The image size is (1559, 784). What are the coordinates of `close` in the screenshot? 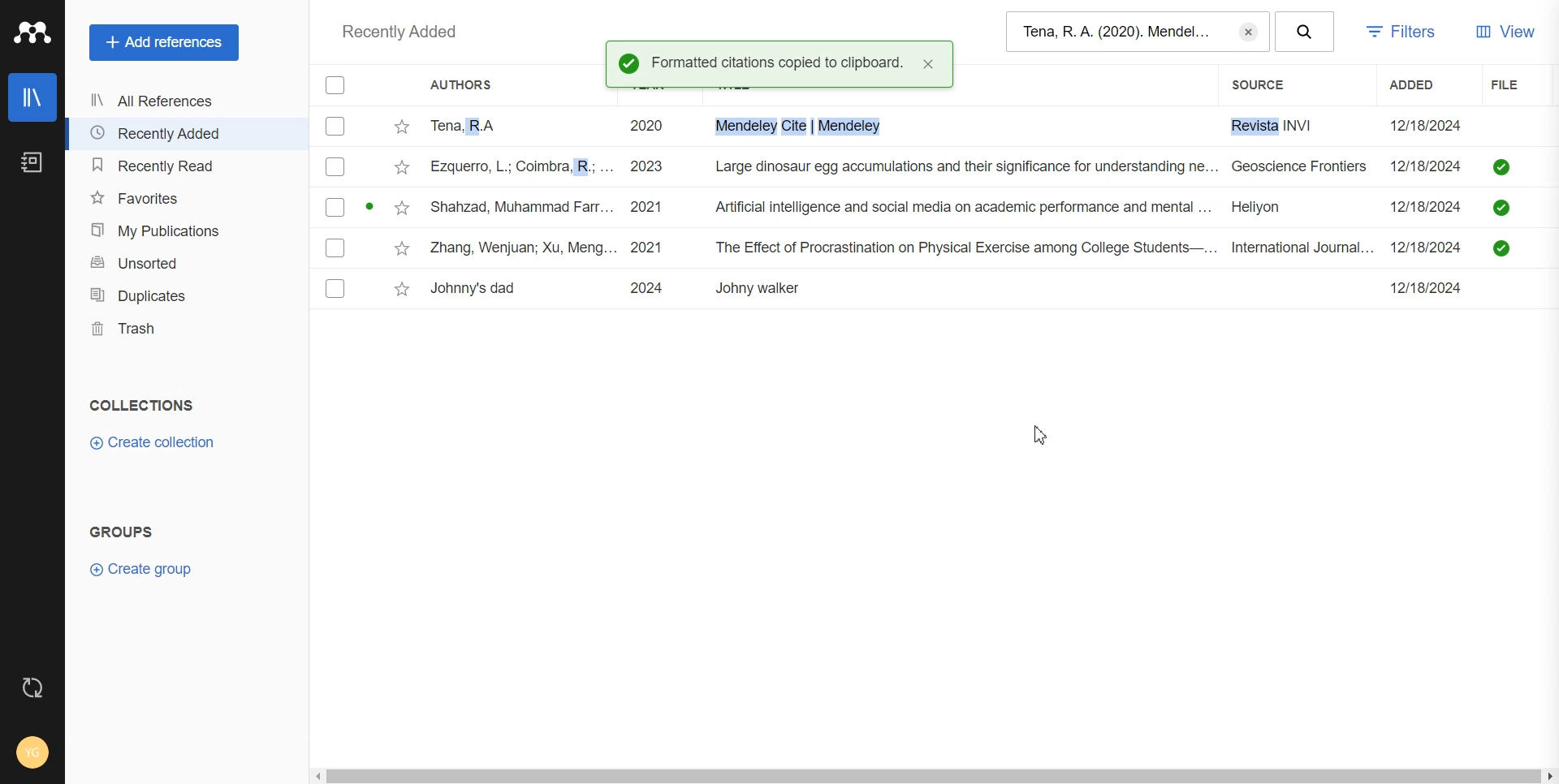 It's located at (930, 65).